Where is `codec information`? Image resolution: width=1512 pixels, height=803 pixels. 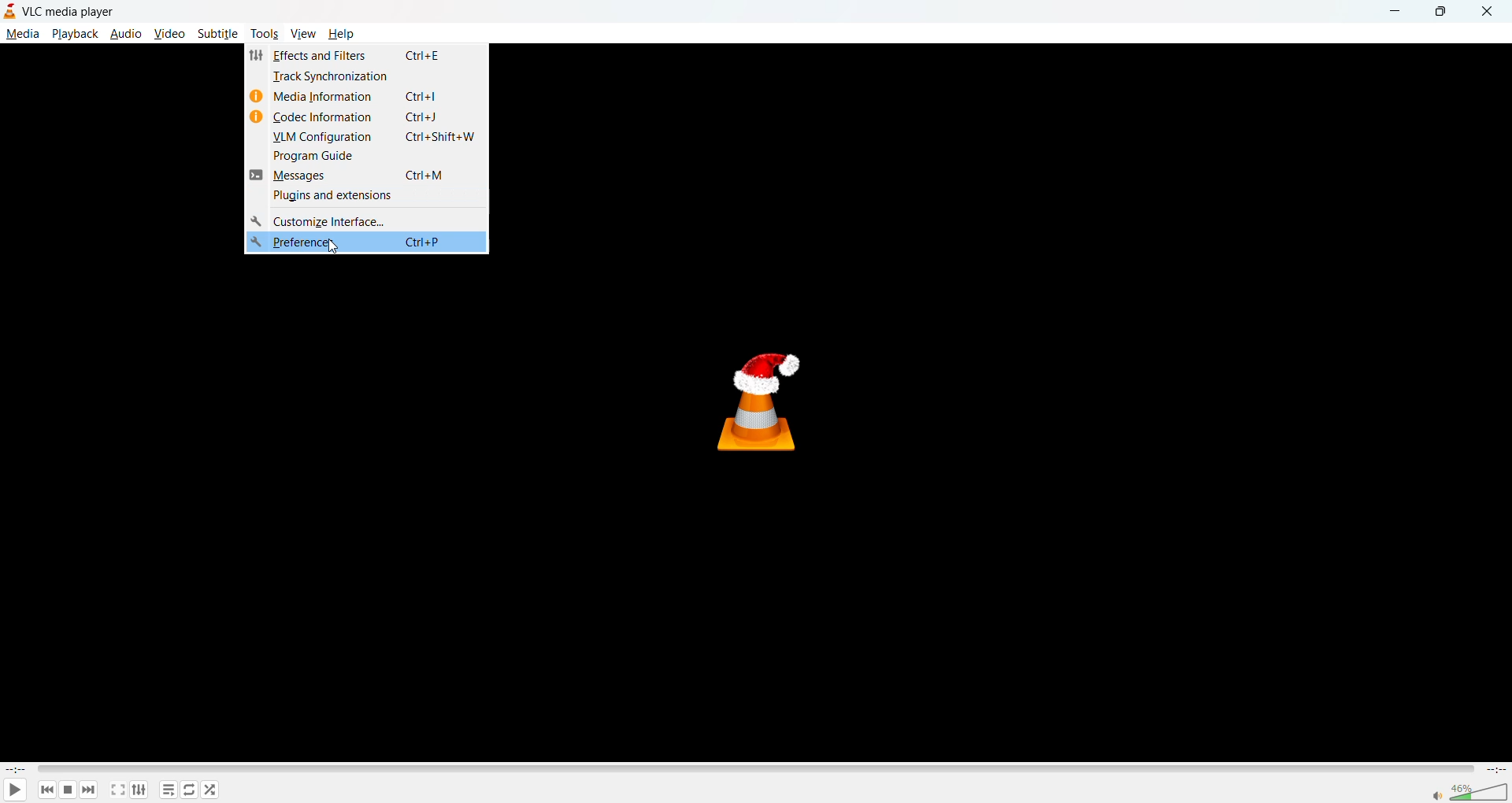
codec information is located at coordinates (359, 119).